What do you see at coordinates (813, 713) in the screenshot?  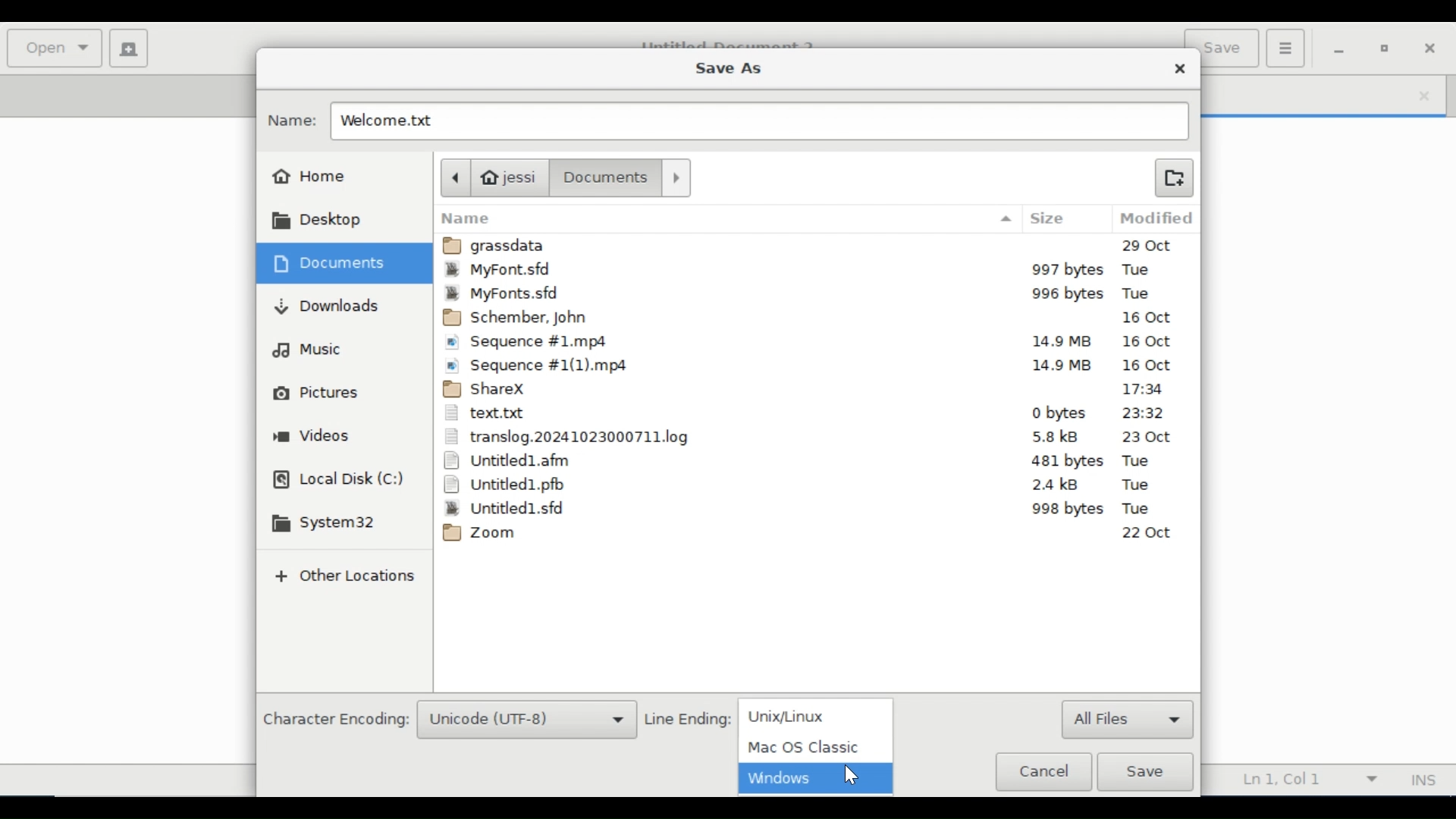 I see `Unix/Linux` at bounding box center [813, 713].